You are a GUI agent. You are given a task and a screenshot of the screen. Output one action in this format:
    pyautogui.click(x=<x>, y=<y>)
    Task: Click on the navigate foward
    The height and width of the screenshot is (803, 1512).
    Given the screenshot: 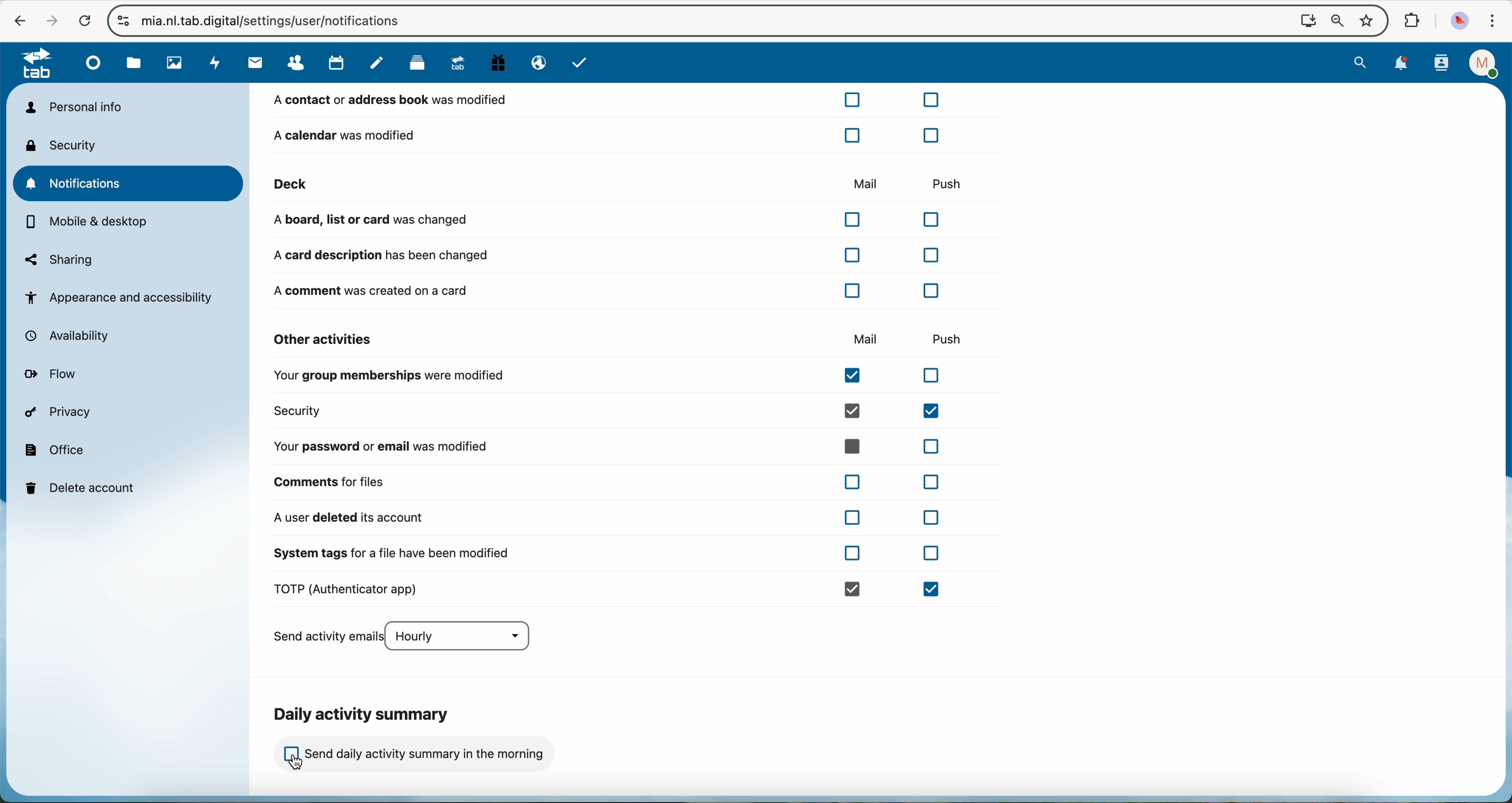 What is the action you would take?
    pyautogui.click(x=48, y=19)
    